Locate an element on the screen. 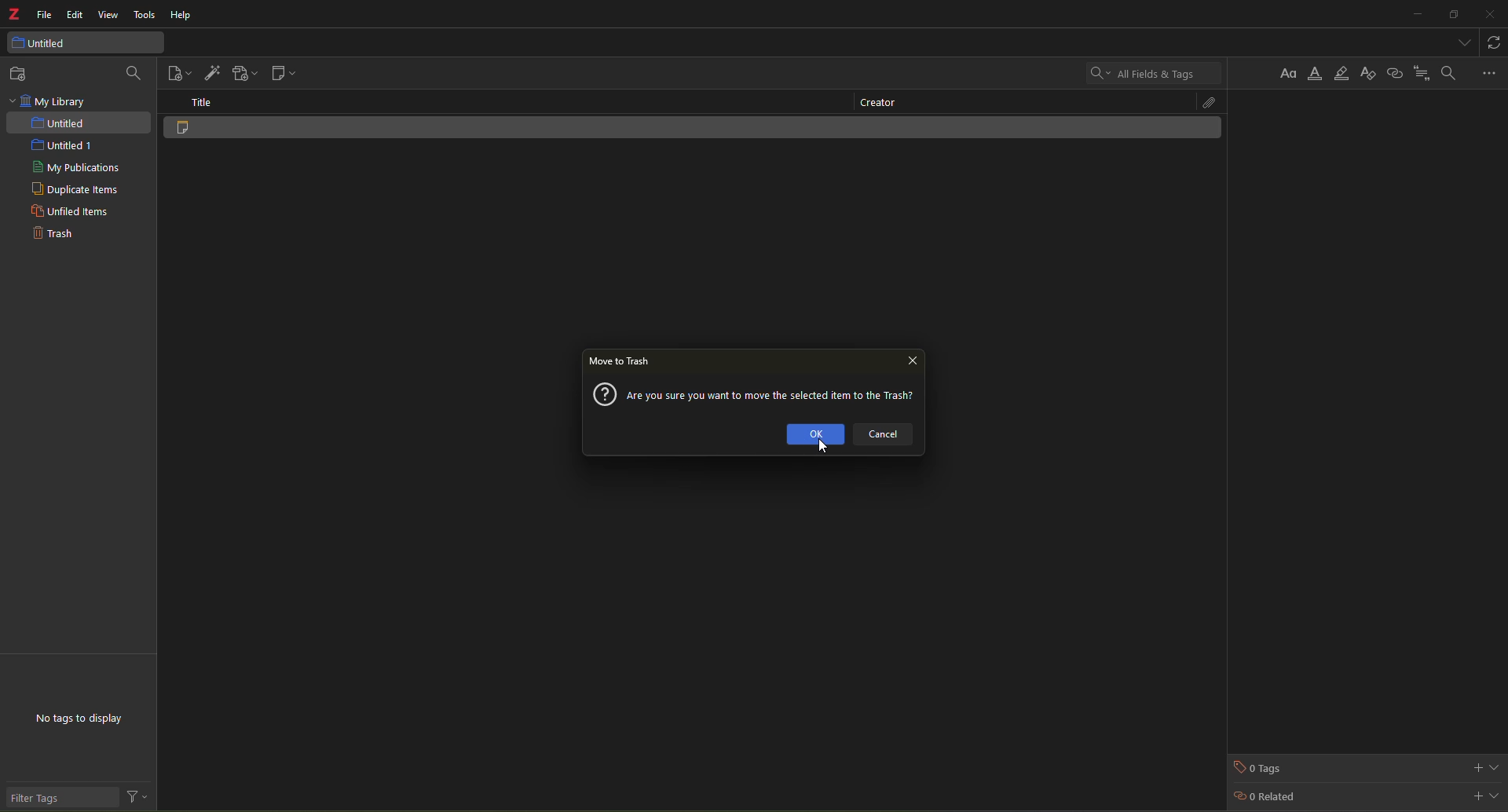  tools is located at coordinates (146, 16).